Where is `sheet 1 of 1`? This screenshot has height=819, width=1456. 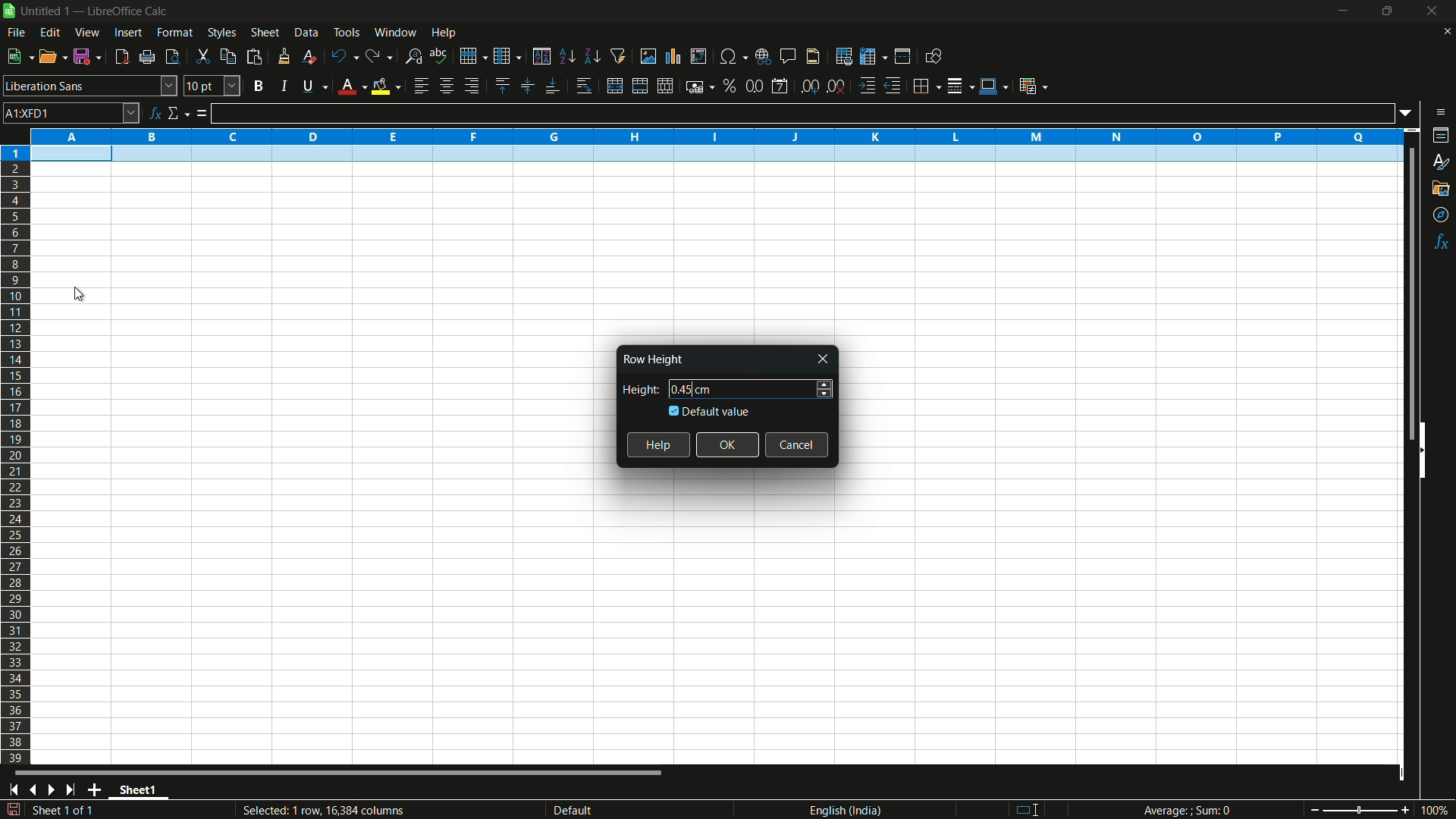
sheet 1 of 1 is located at coordinates (68, 812).